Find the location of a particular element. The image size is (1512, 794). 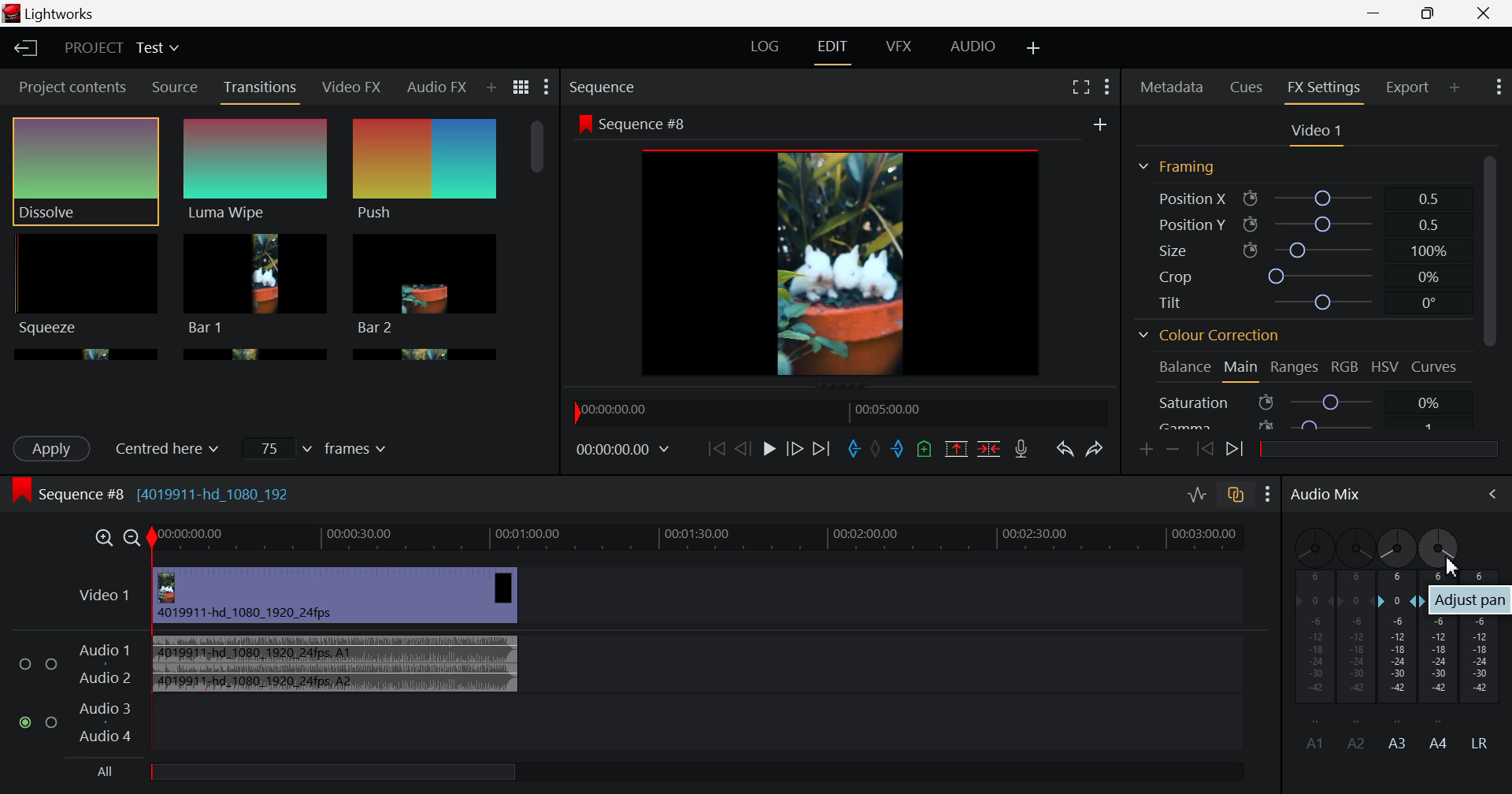

Remove marked section is located at coordinates (956, 447).